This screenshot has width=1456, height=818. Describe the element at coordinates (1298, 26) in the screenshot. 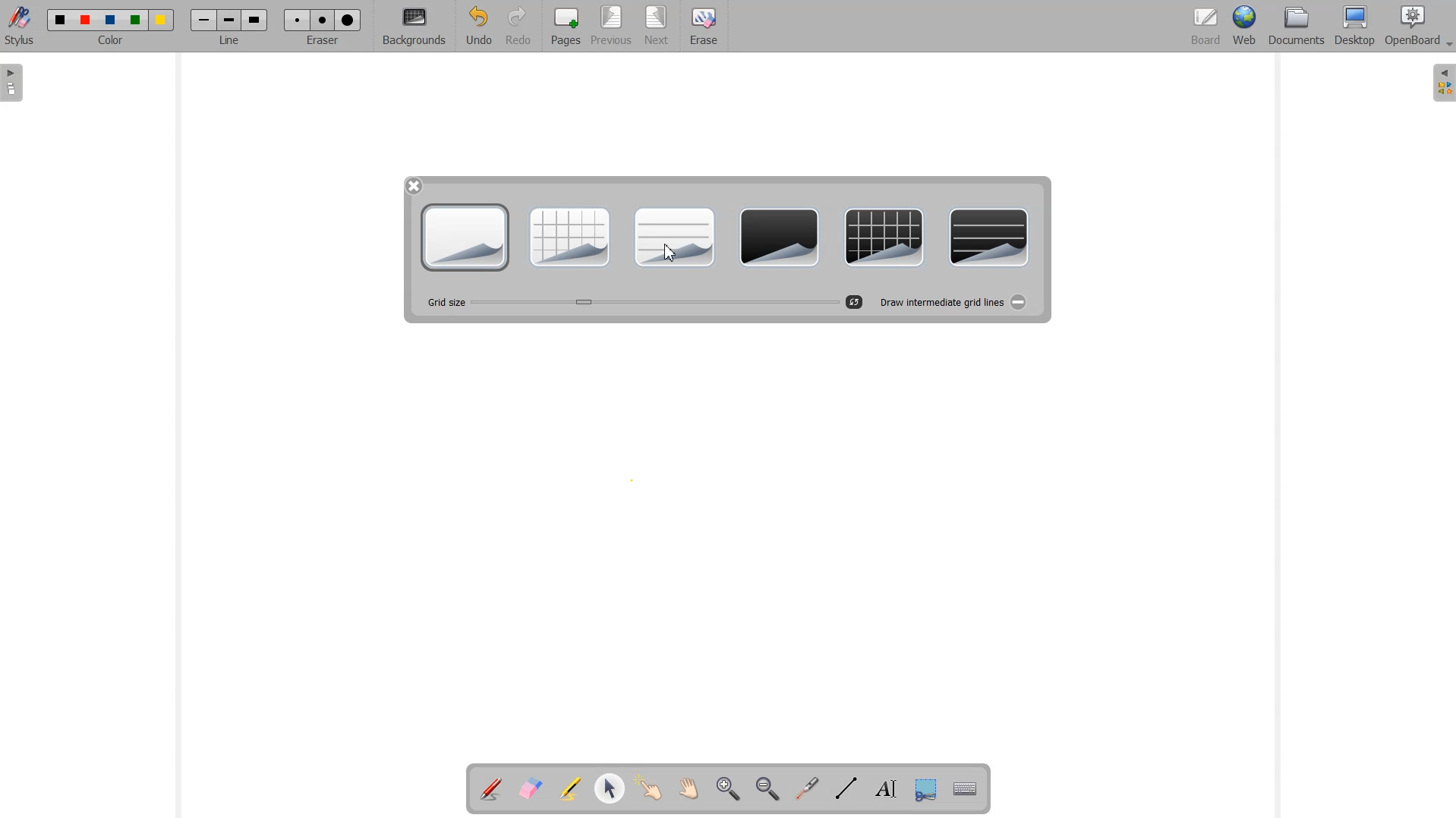

I see `Document` at that location.